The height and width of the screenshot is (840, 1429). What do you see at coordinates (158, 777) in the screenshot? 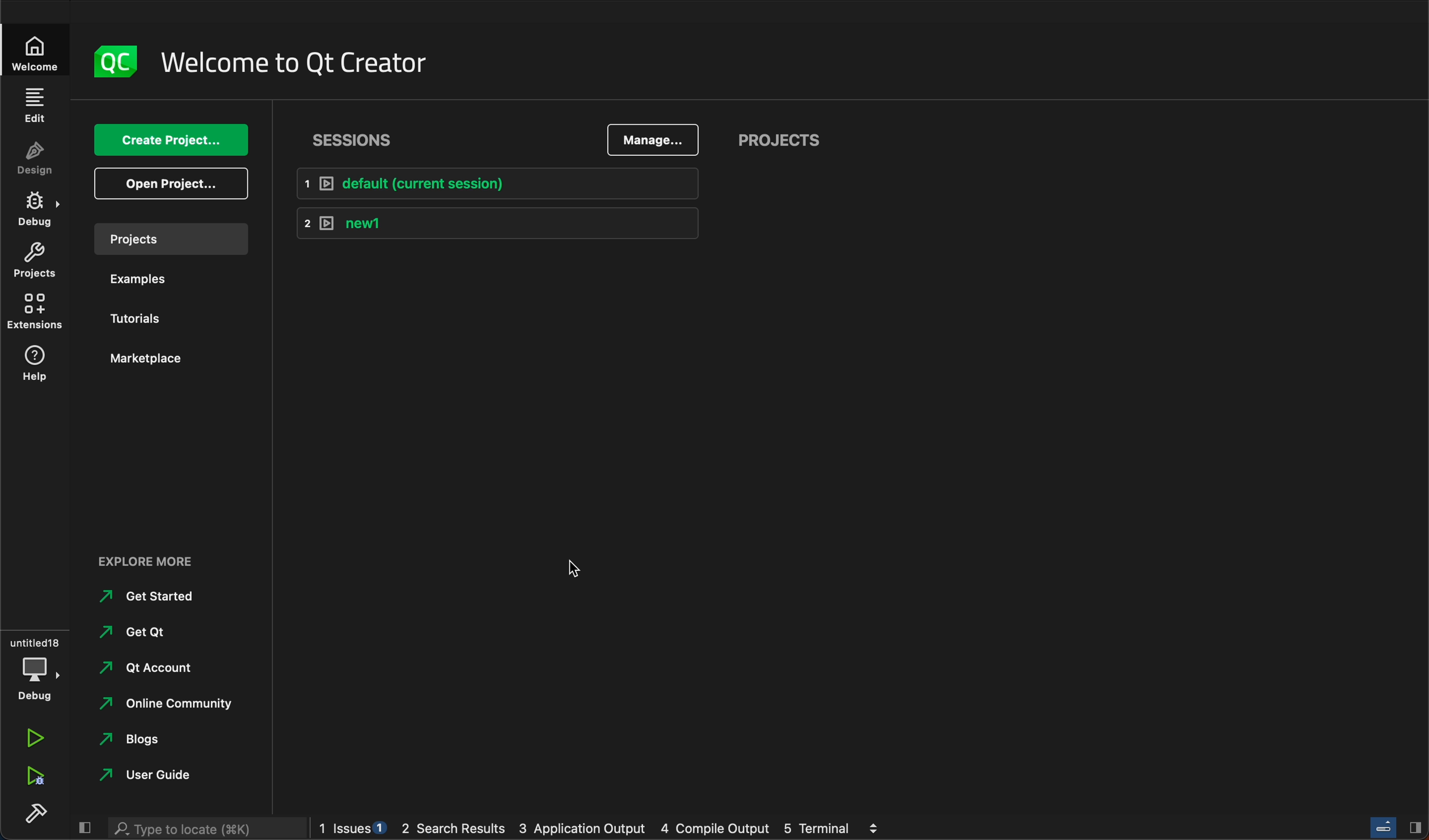
I see `user guide` at bounding box center [158, 777].